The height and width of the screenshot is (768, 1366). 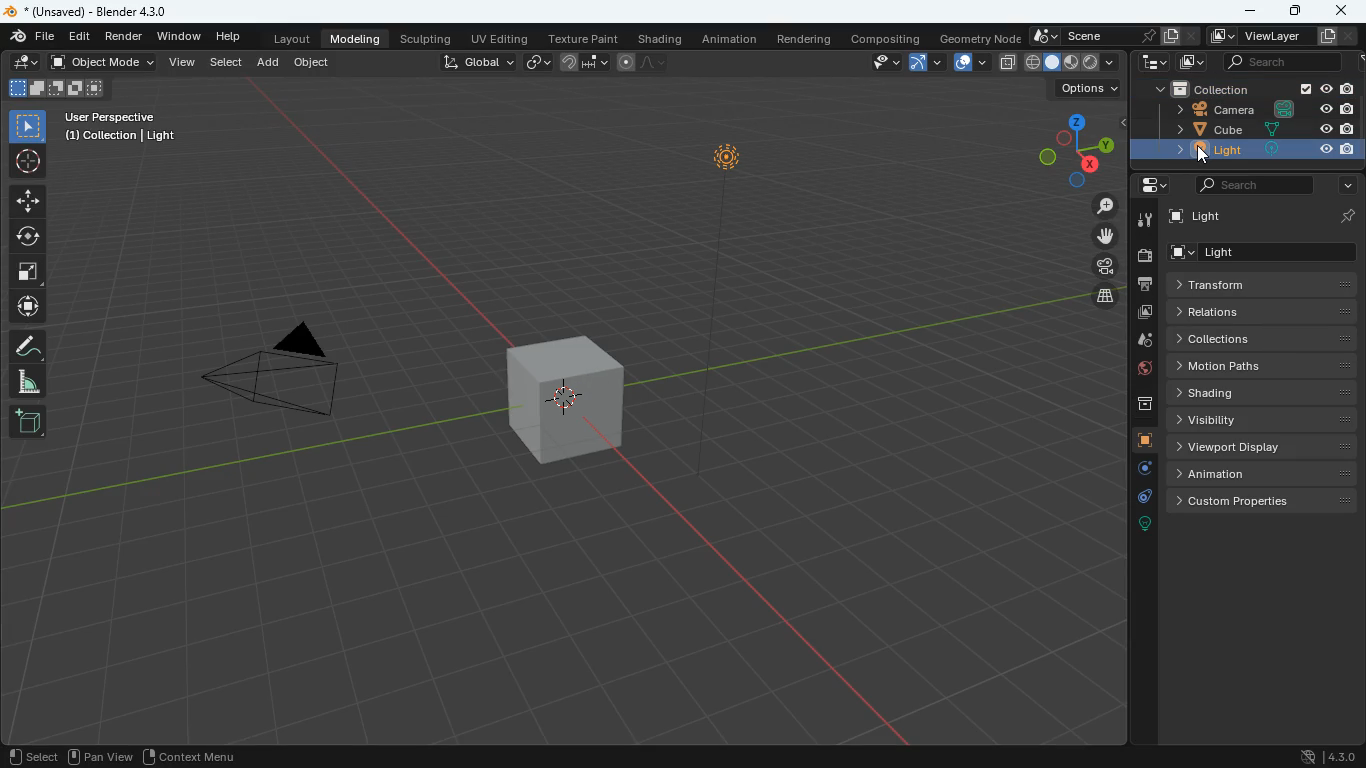 I want to click on rendering, so click(x=804, y=39).